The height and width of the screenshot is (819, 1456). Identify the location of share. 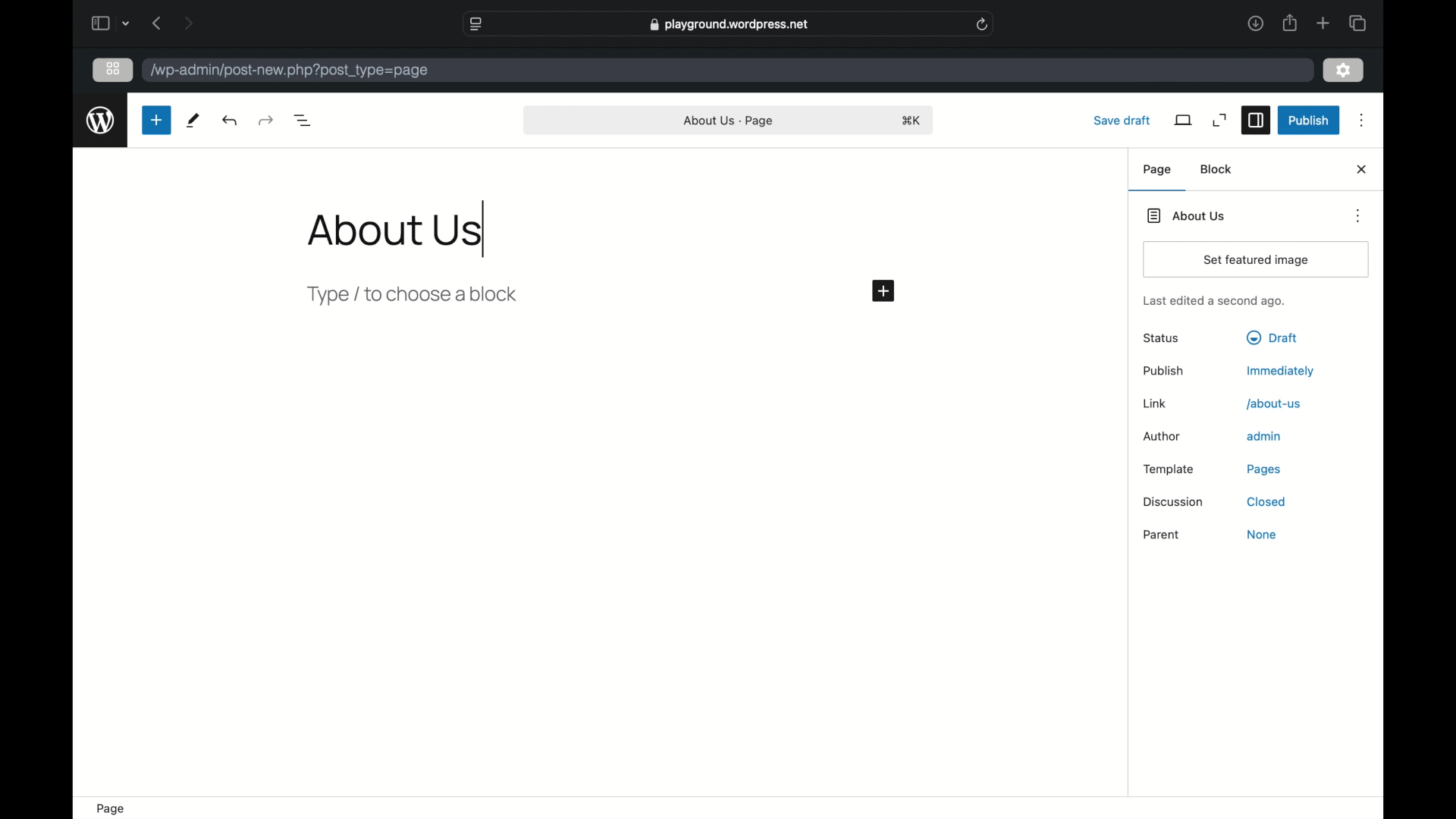
(1290, 24).